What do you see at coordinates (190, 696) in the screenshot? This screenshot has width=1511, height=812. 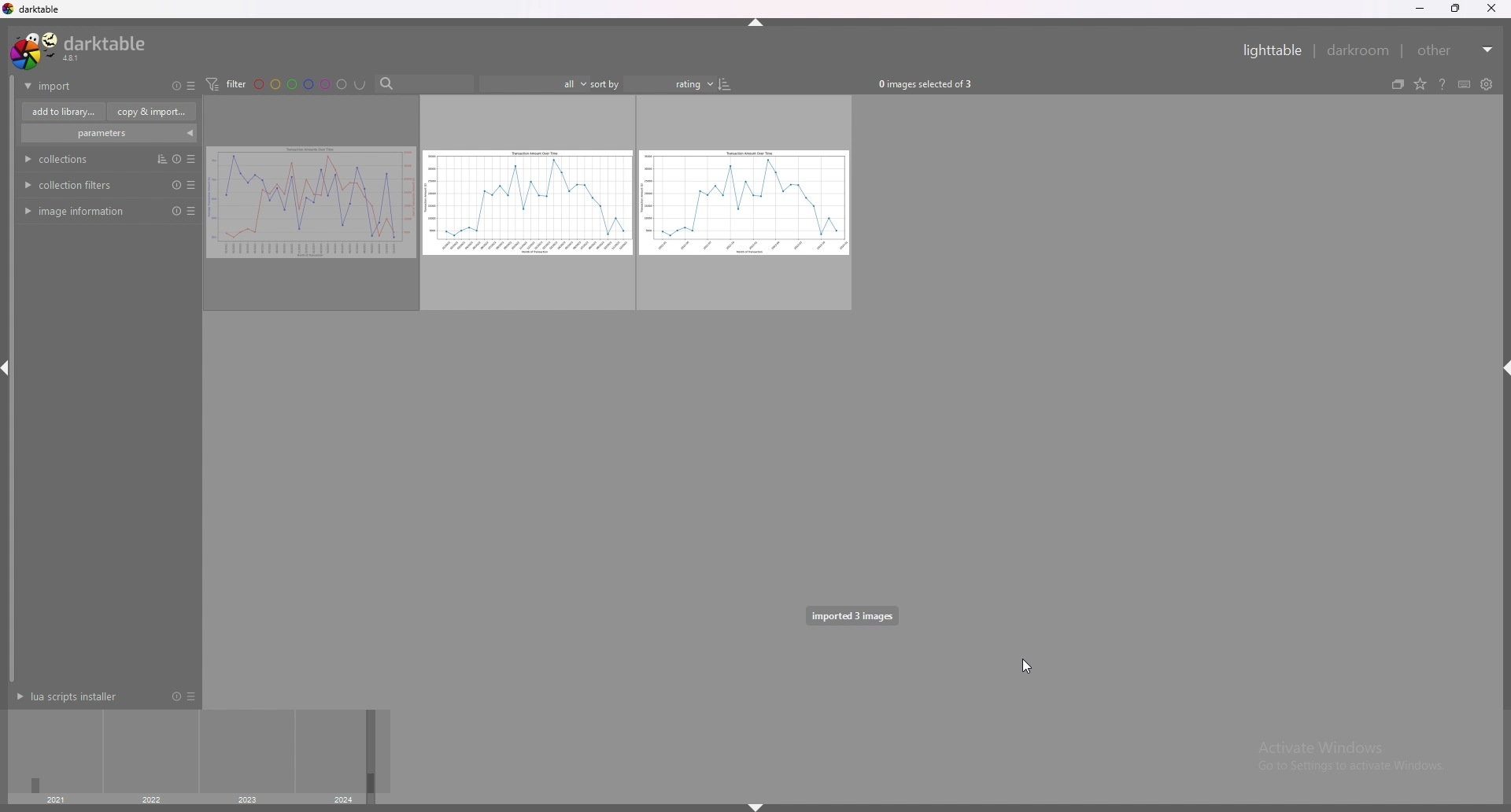 I see `presets` at bounding box center [190, 696].